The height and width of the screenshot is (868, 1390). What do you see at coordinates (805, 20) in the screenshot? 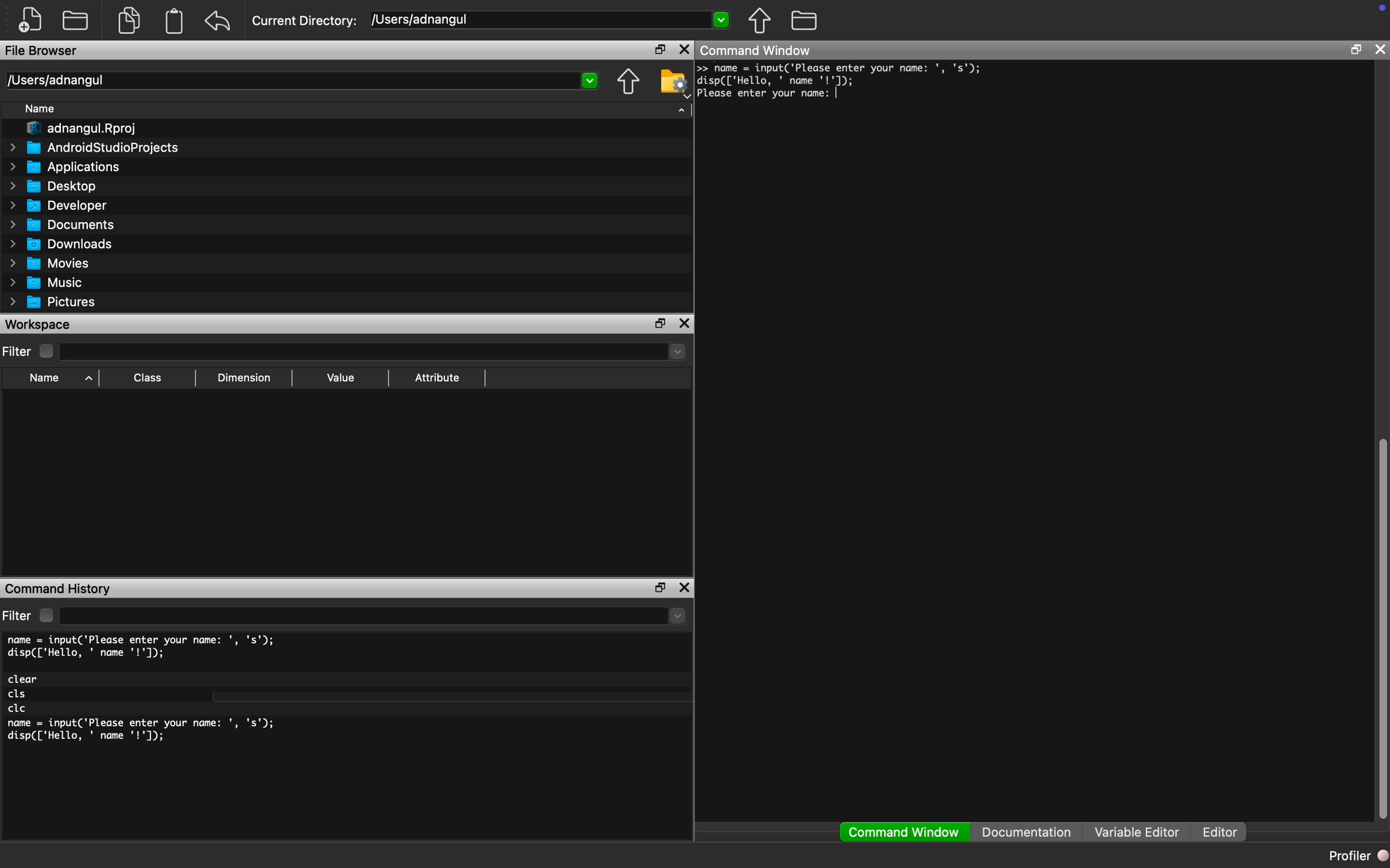
I see `folder` at bounding box center [805, 20].